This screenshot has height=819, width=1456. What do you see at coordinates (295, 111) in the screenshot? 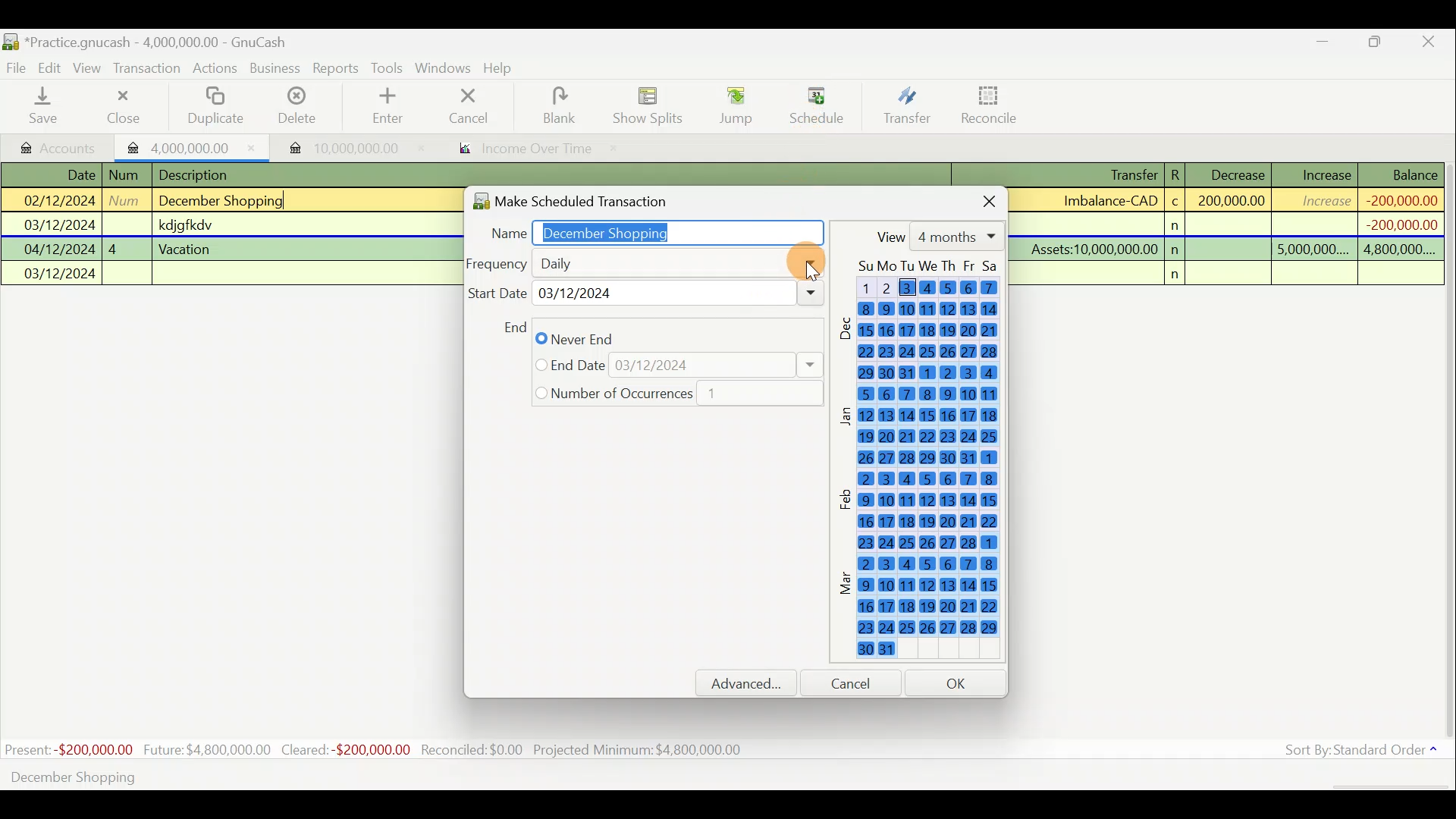
I see `Delete` at bounding box center [295, 111].